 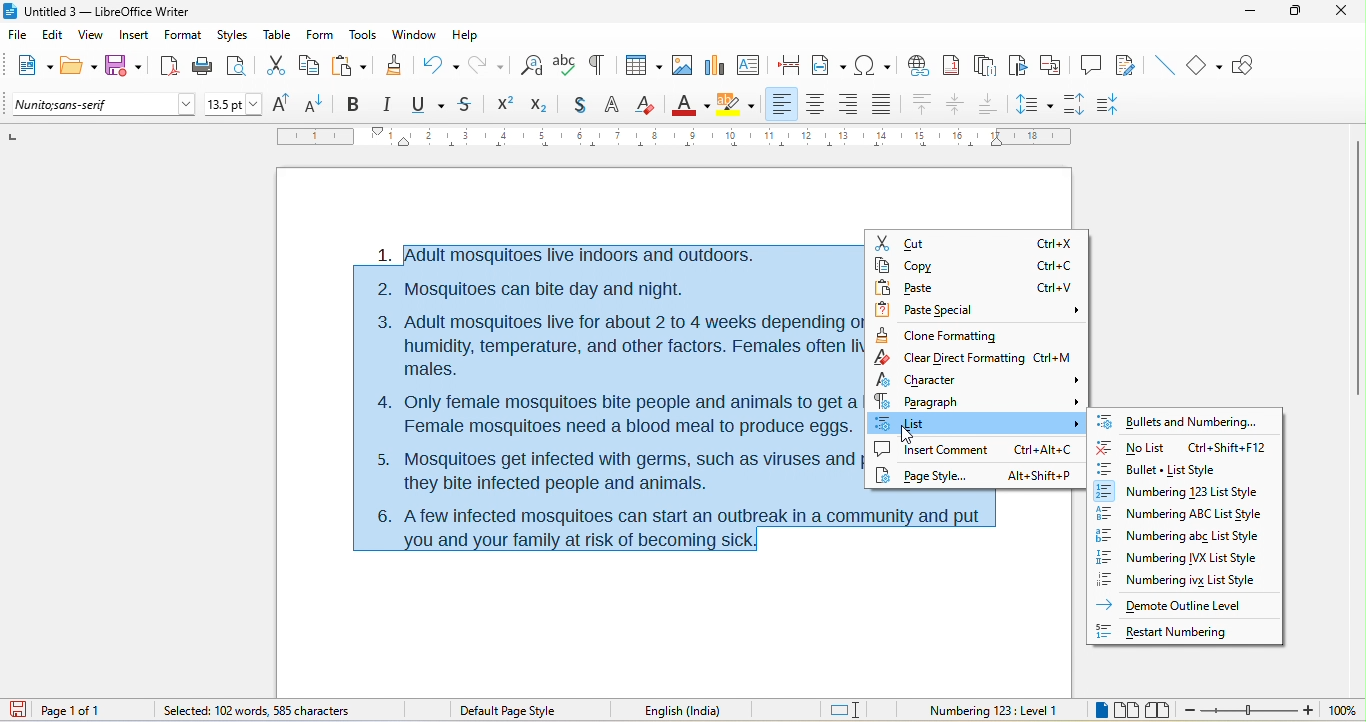 I want to click on decrease paragraph spacing, so click(x=1121, y=102).